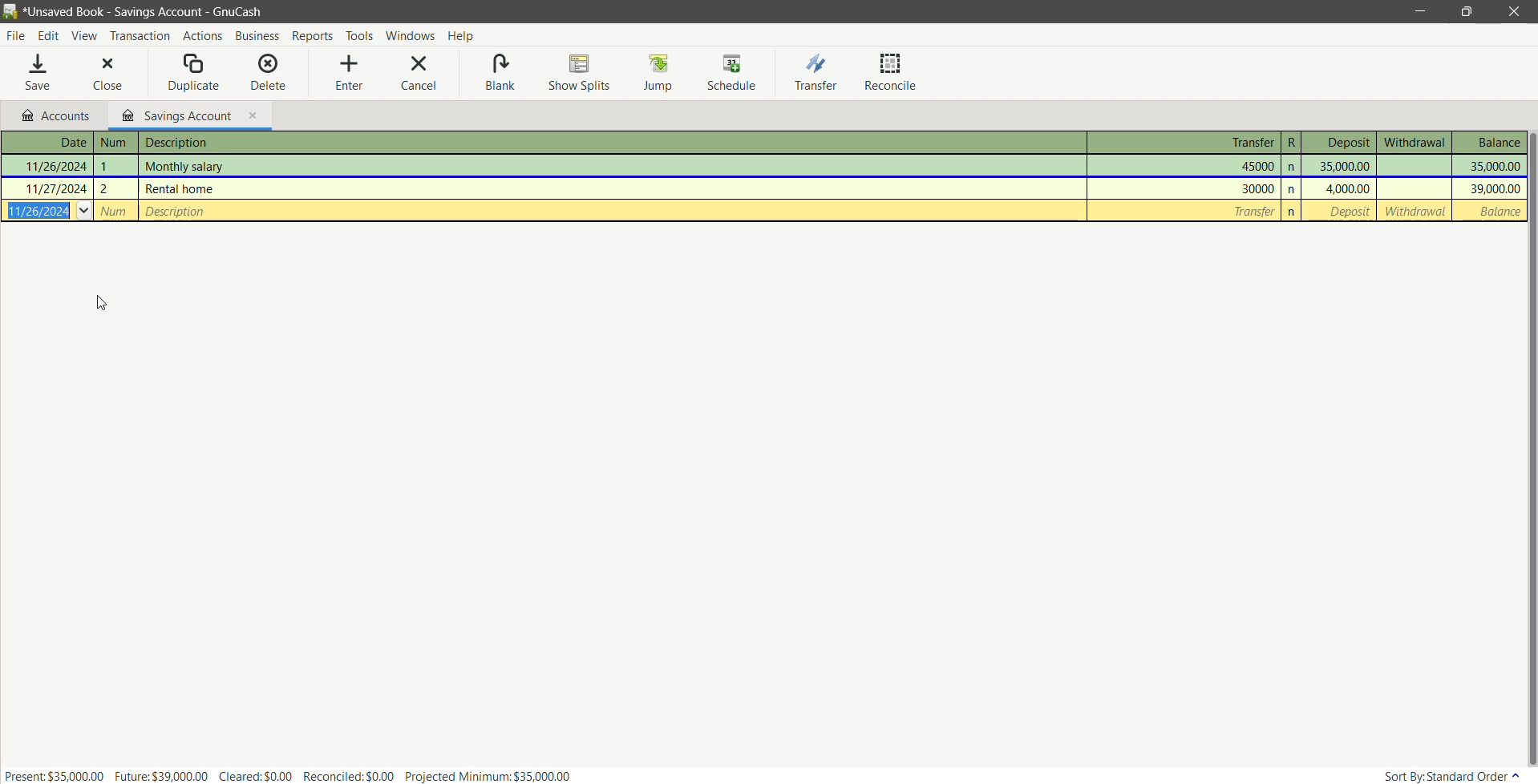 Image resolution: width=1538 pixels, height=784 pixels. Describe the element at coordinates (56, 115) in the screenshot. I see `Accounts` at that location.